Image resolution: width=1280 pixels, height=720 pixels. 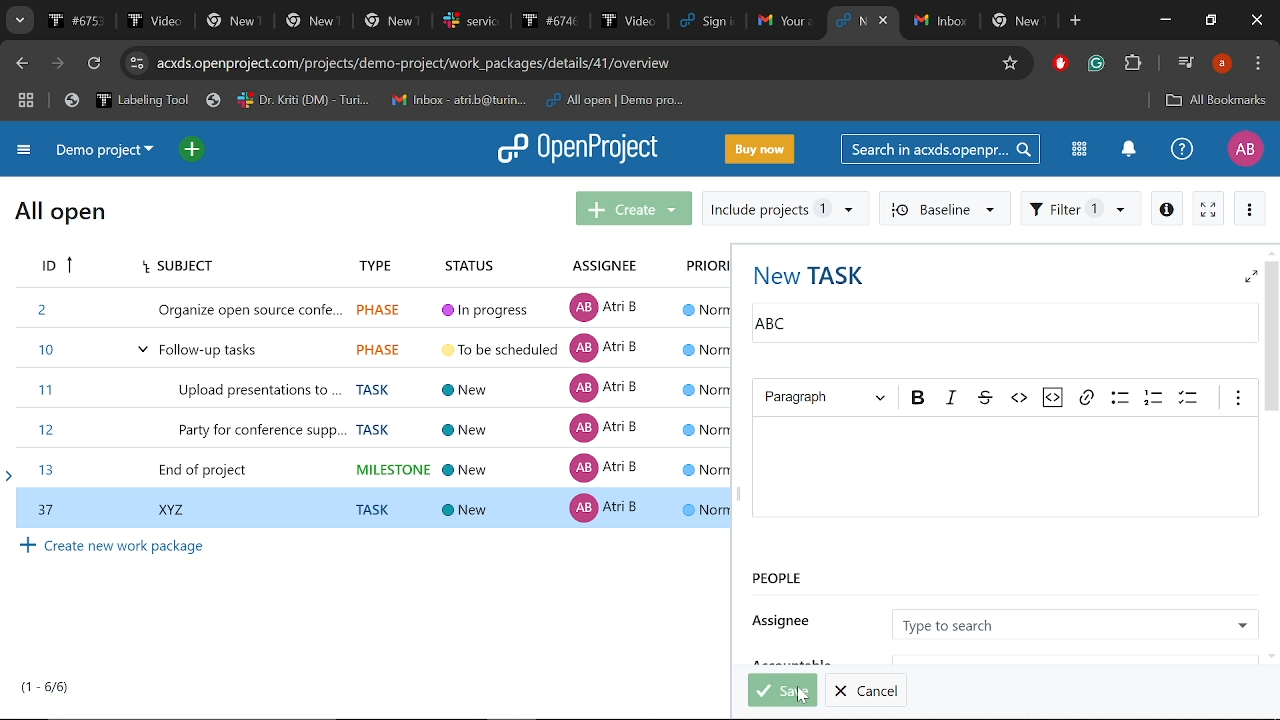 I want to click on strikethrough, so click(x=983, y=397).